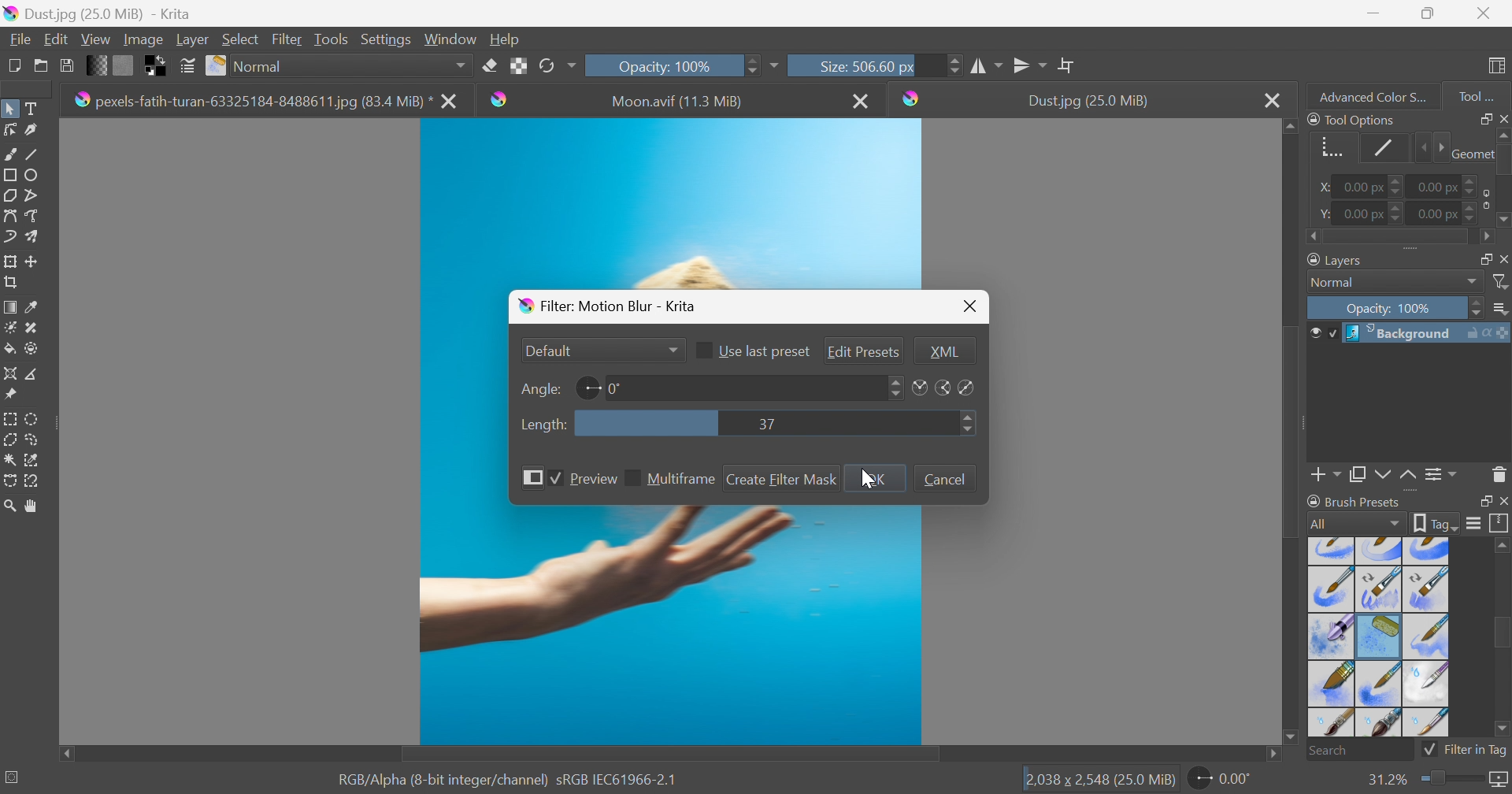 Image resolution: width=1512 pixels, height=794 pixels. Describe the element at coordinates (1437, 475) in the screenshot. I see `View or change the layer properties` at that location.